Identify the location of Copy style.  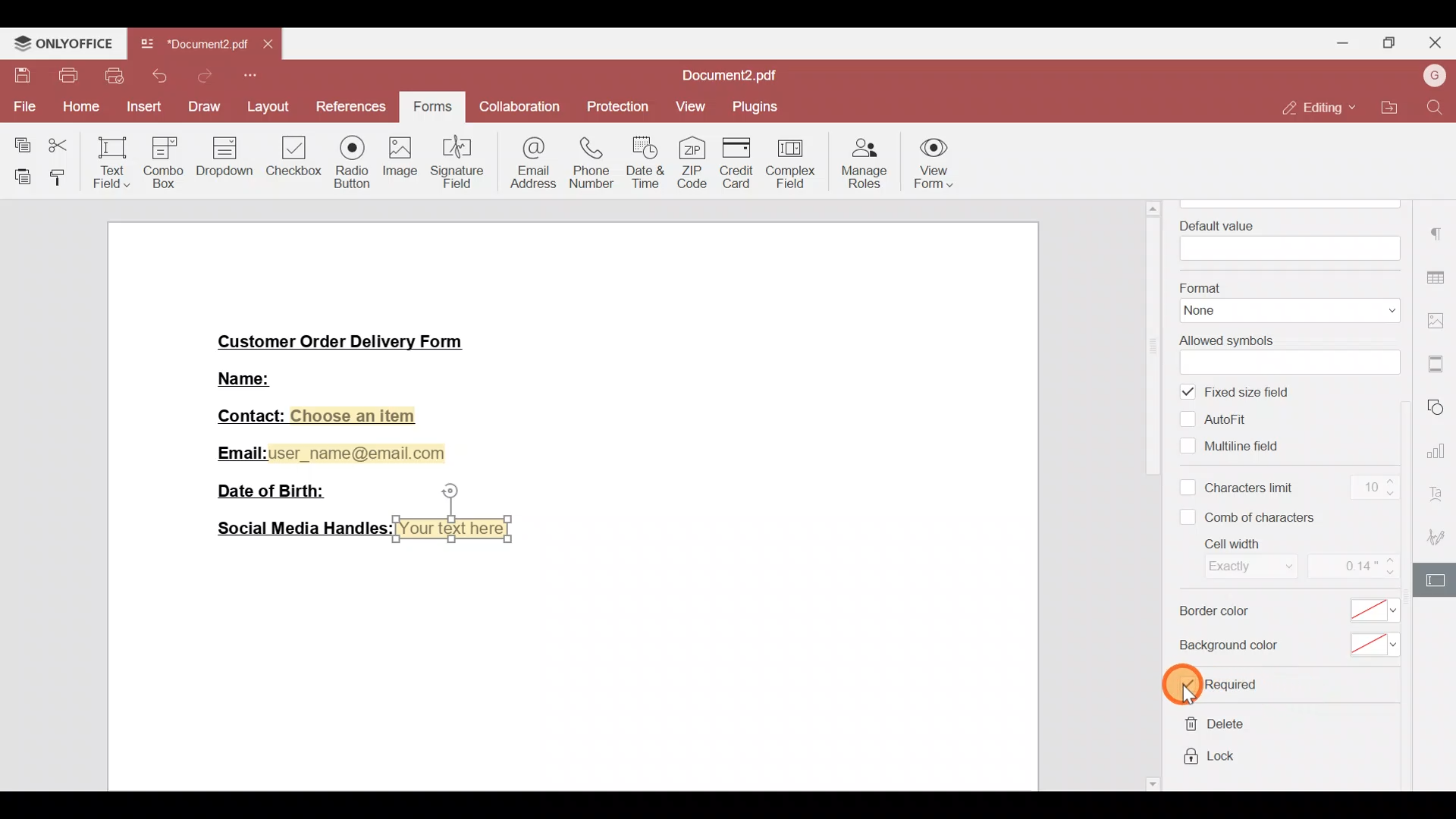
(58, 178).